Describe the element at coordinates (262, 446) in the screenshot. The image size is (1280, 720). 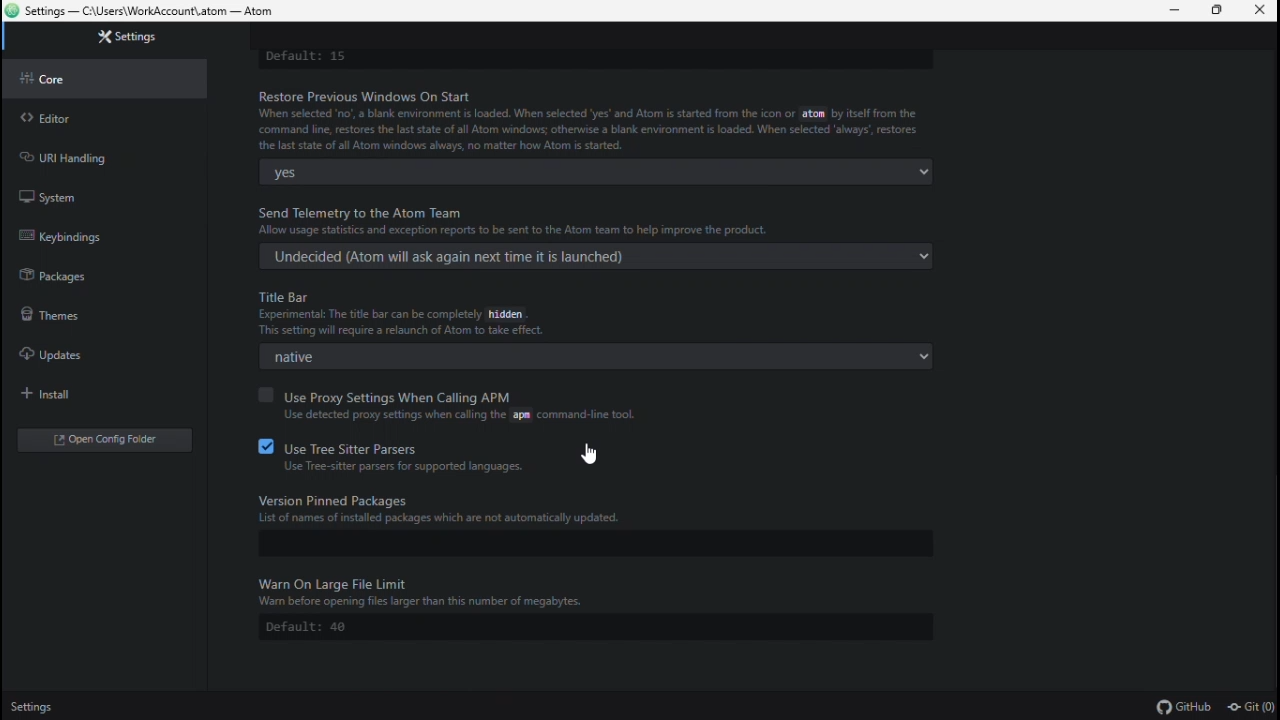
I see `checkbox` at that location.